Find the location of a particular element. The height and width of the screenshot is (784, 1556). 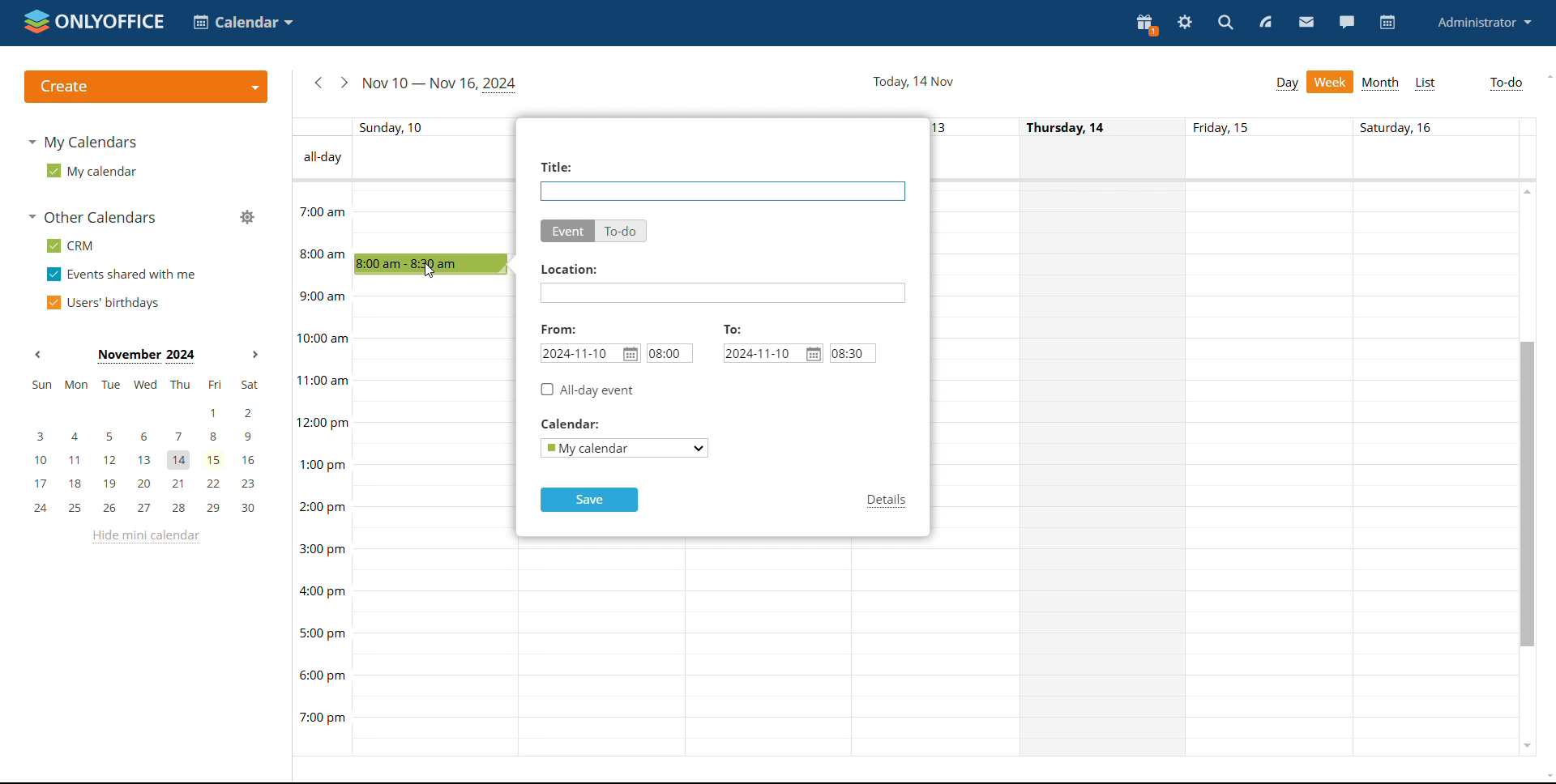

indiviual date is located at coordinates (912, 126).